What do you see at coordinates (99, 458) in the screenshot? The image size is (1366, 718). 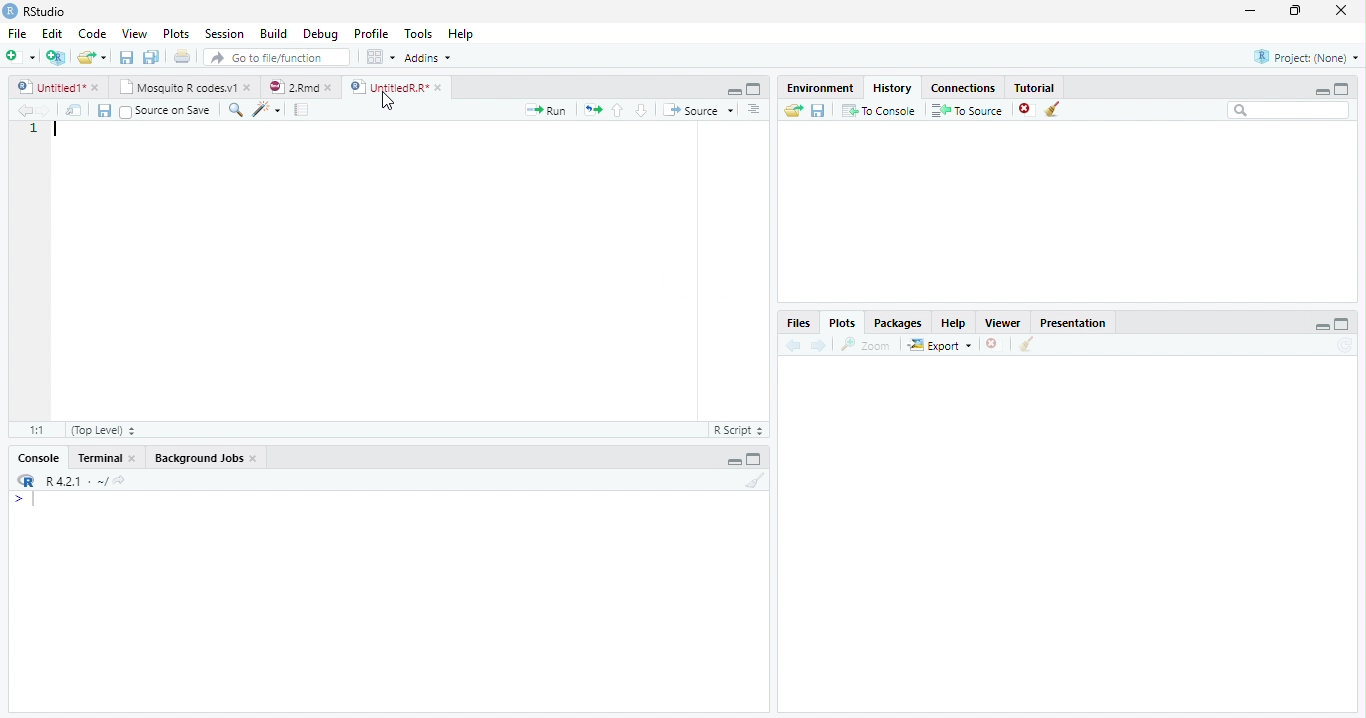 I see `Terminal` at bounding box center [99, 458].